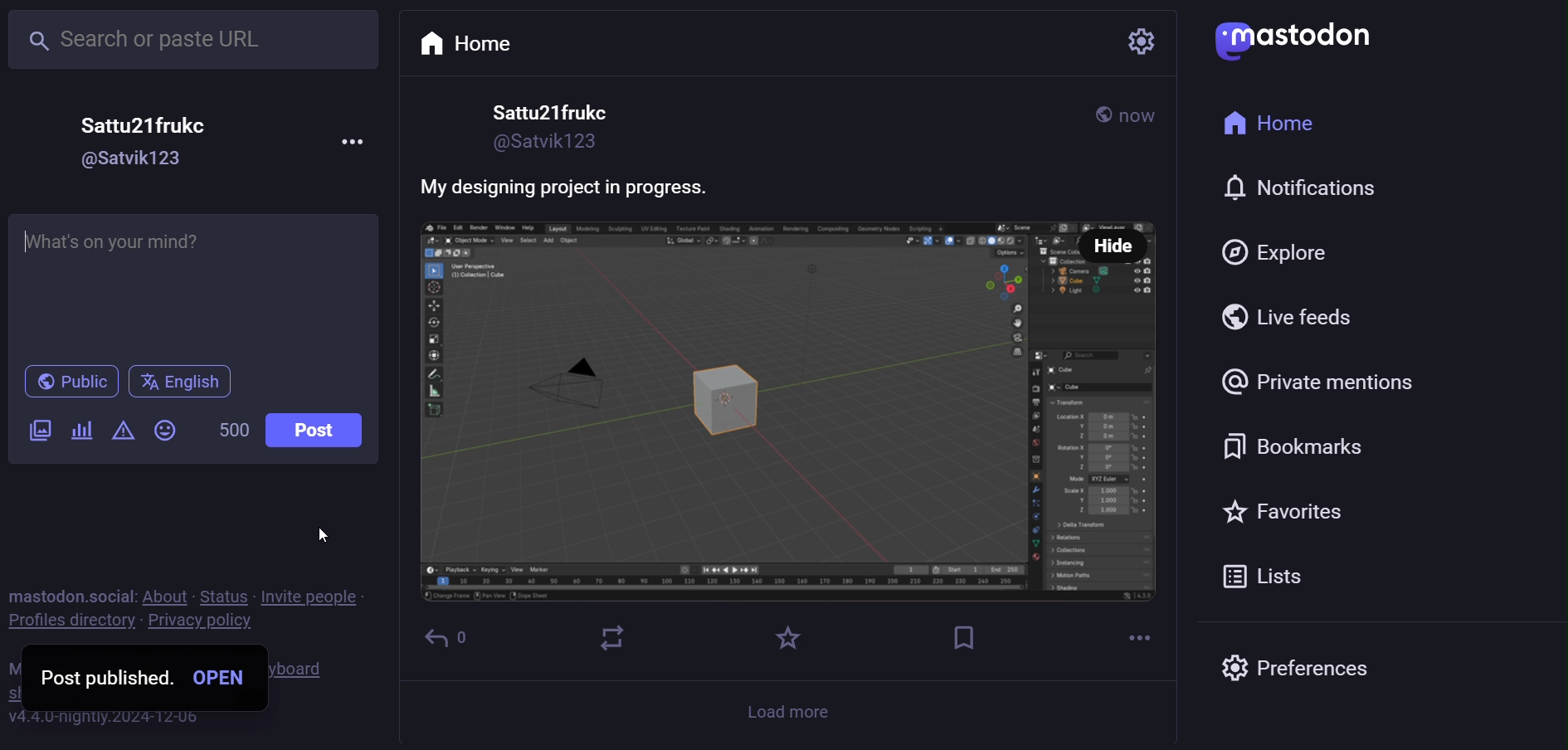 This screenshot has height=750, width=1568. Describe the element at coordinates (803, 713) in the screenshot. I see `load more` at that location.